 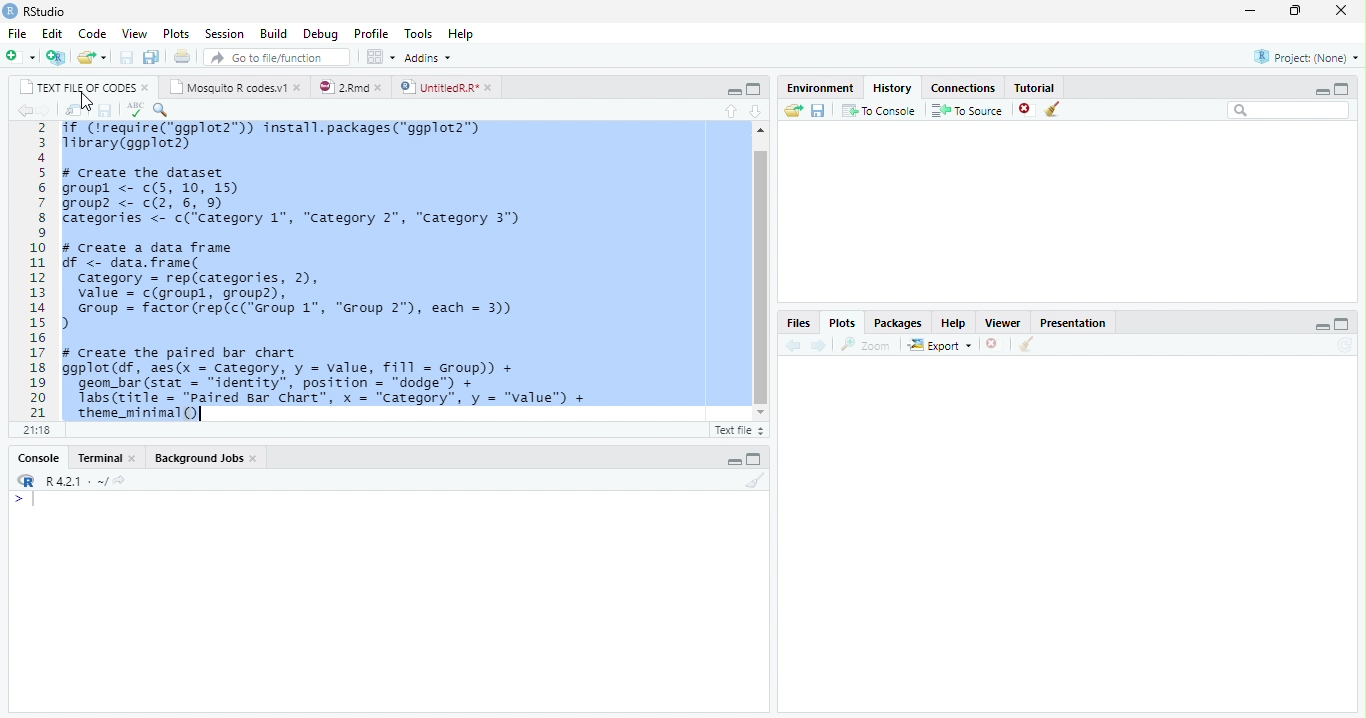 I want to click on environment, so click(x=816, y=88).